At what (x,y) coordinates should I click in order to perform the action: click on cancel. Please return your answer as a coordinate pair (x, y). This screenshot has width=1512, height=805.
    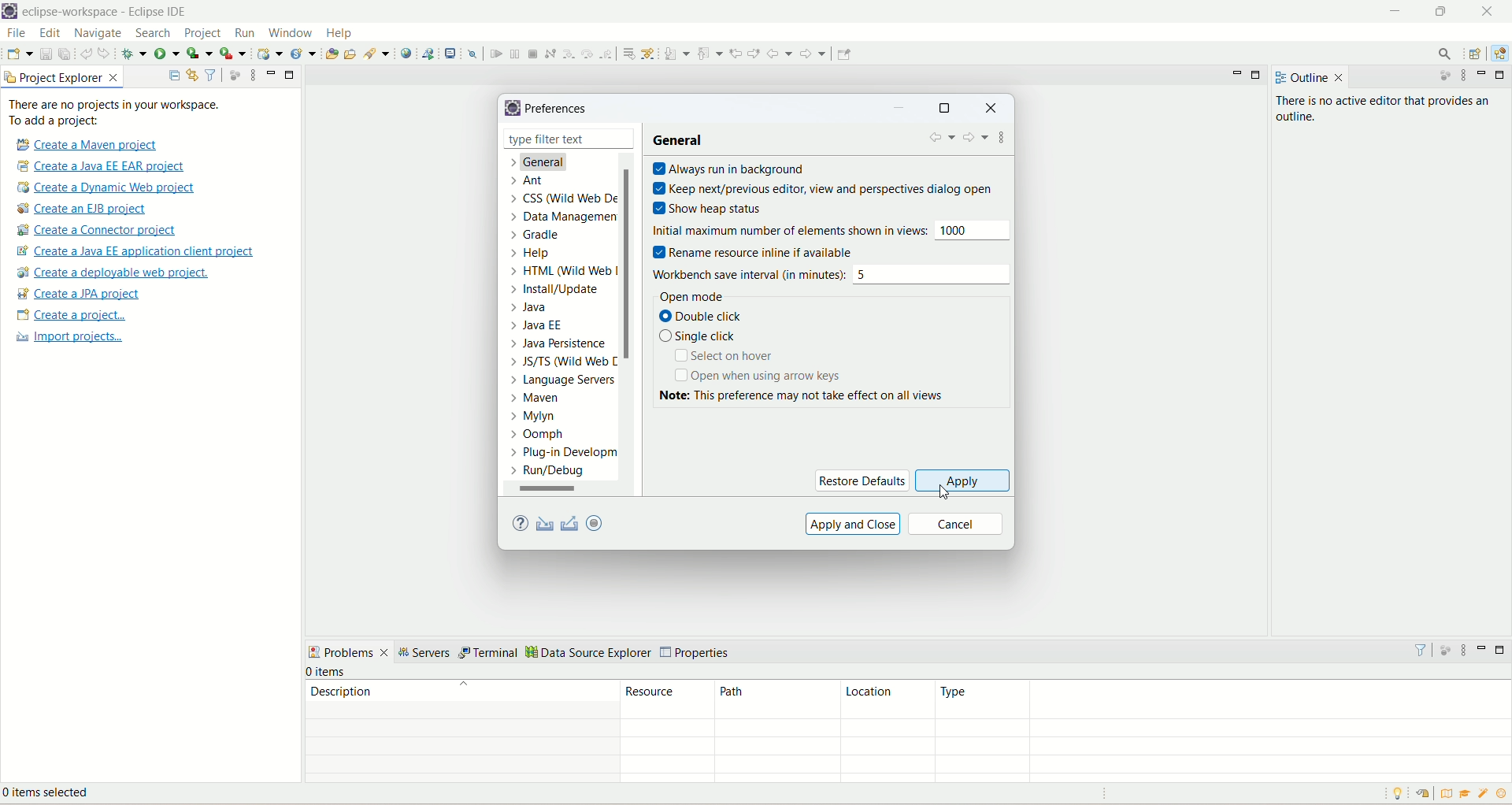
    Looking at the image, I should click on (957, 524).